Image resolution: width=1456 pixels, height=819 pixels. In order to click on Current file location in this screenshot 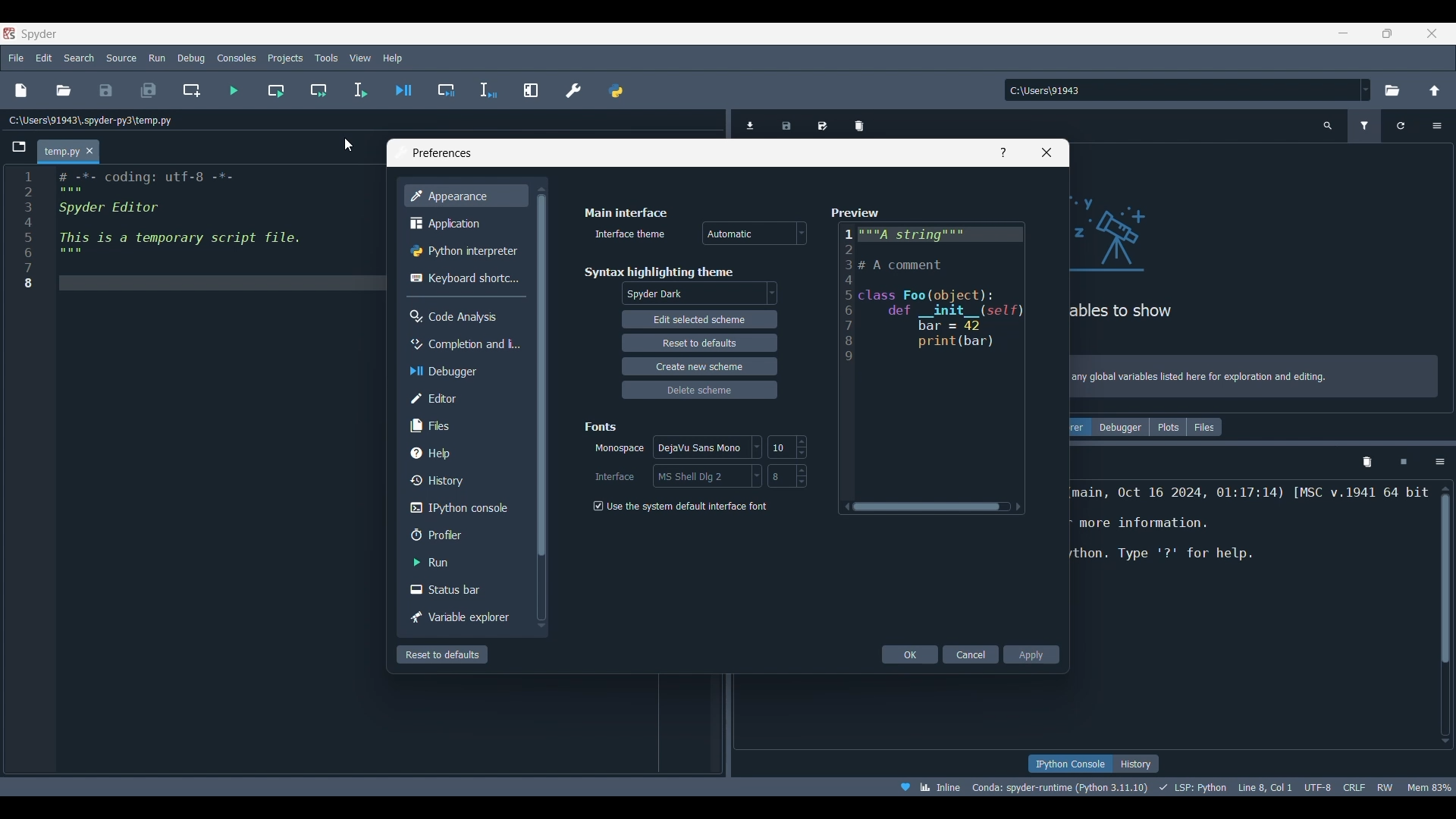, I will do `click(91, 121)`.